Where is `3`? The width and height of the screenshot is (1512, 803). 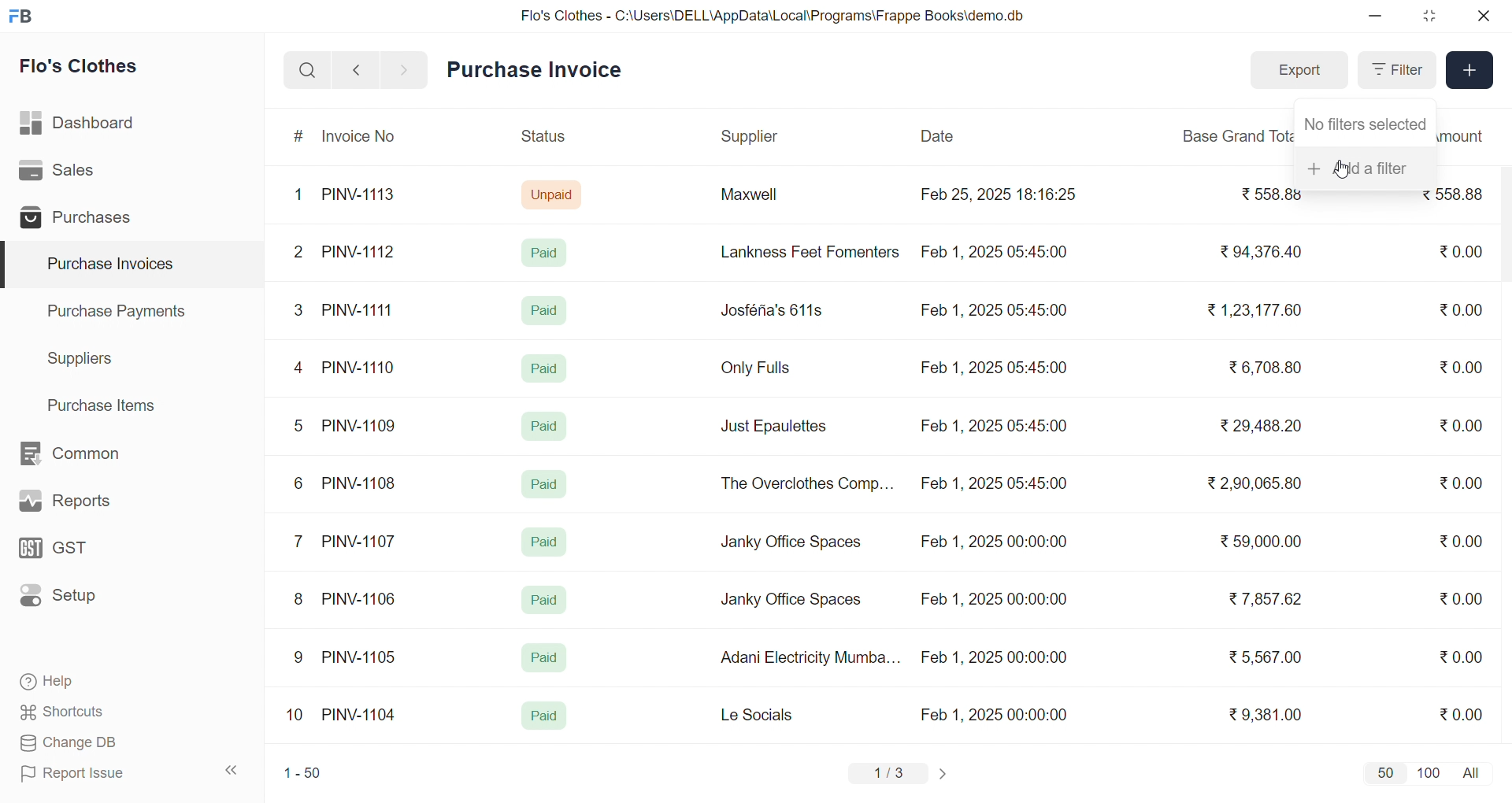
3 is located at coordinates (298, 309).